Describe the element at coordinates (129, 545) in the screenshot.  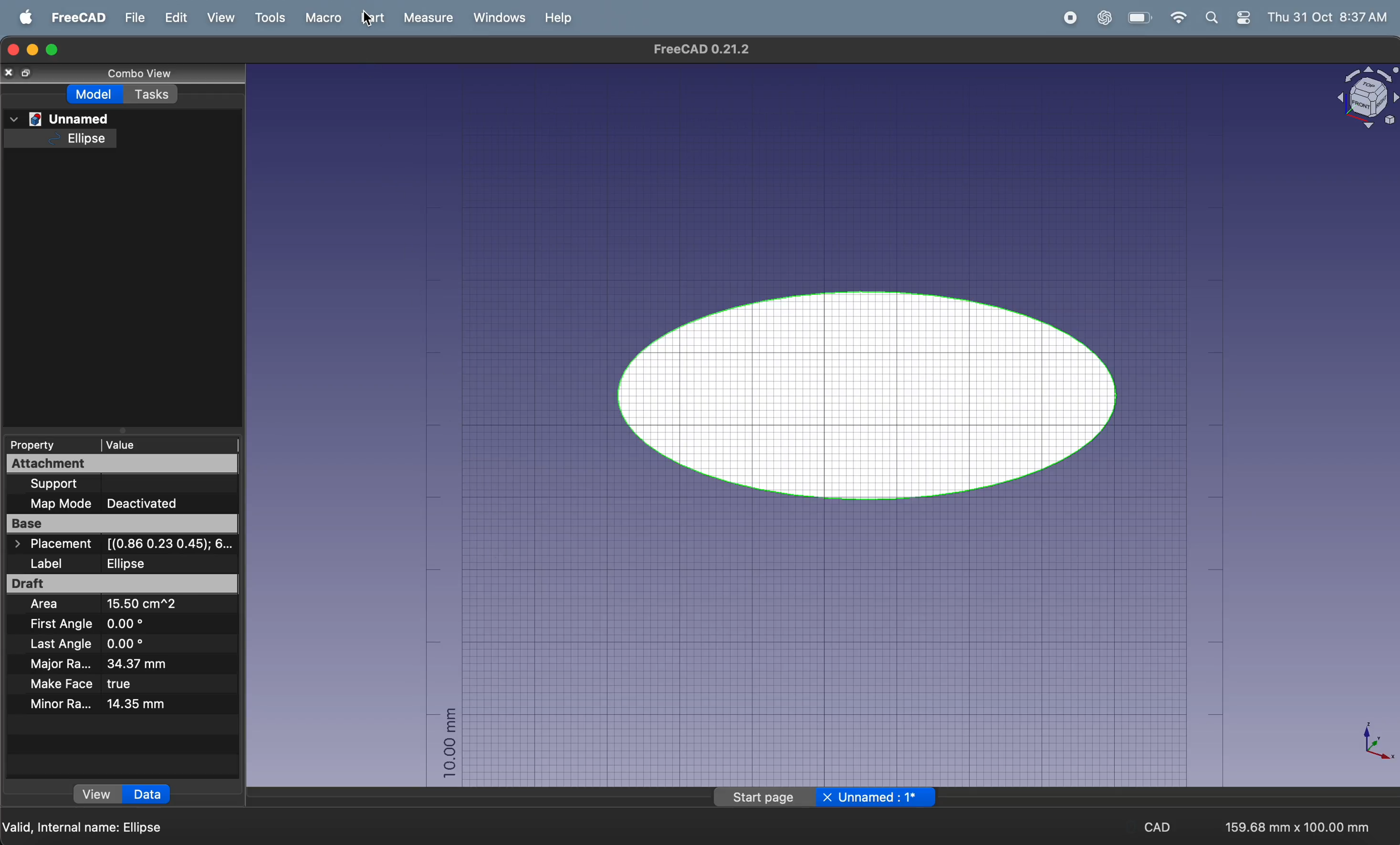
I see `placement` at that location.